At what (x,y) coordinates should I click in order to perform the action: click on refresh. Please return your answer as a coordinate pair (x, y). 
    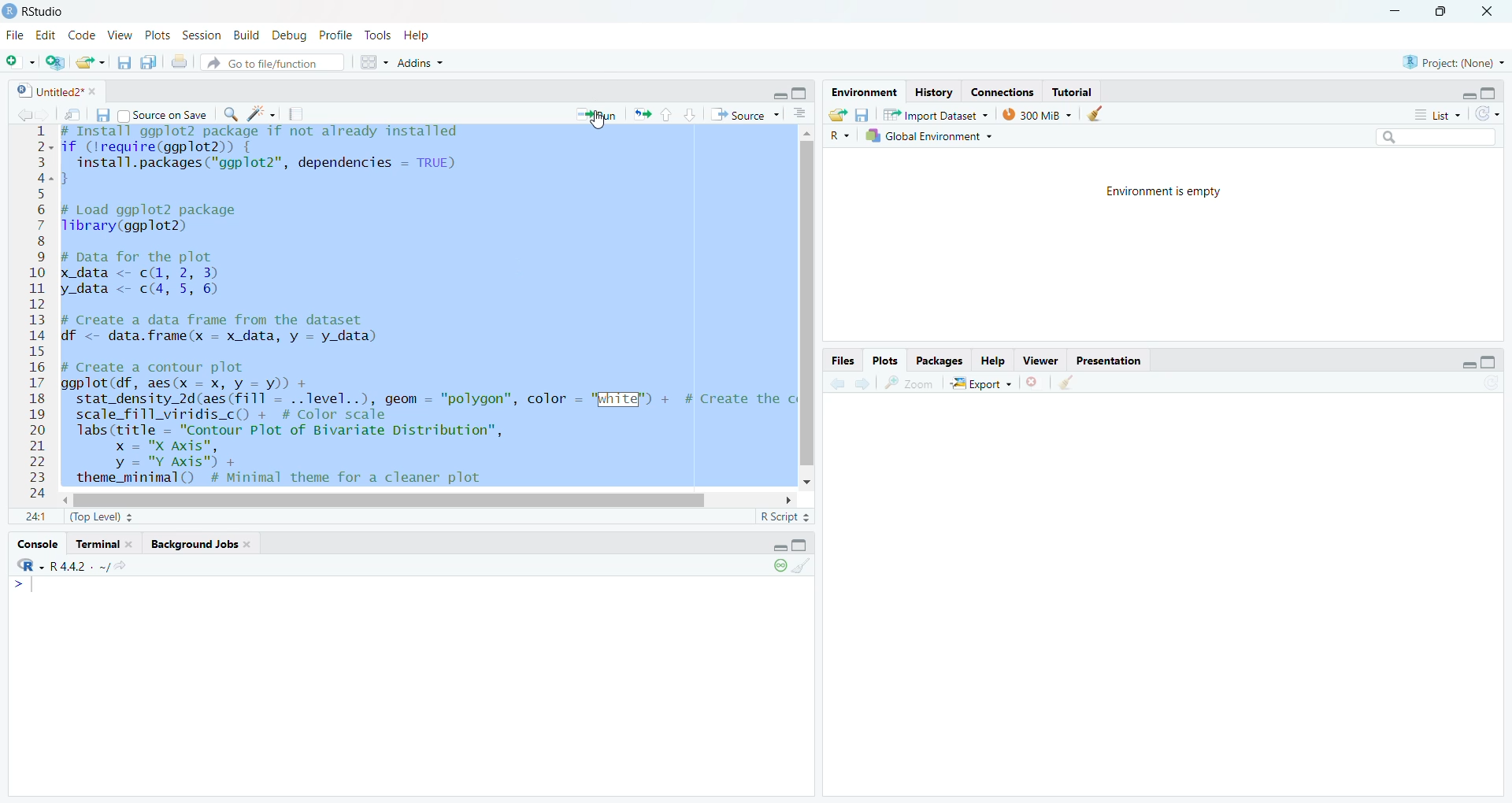
    Looking at the image, I should click on (1492, 113).